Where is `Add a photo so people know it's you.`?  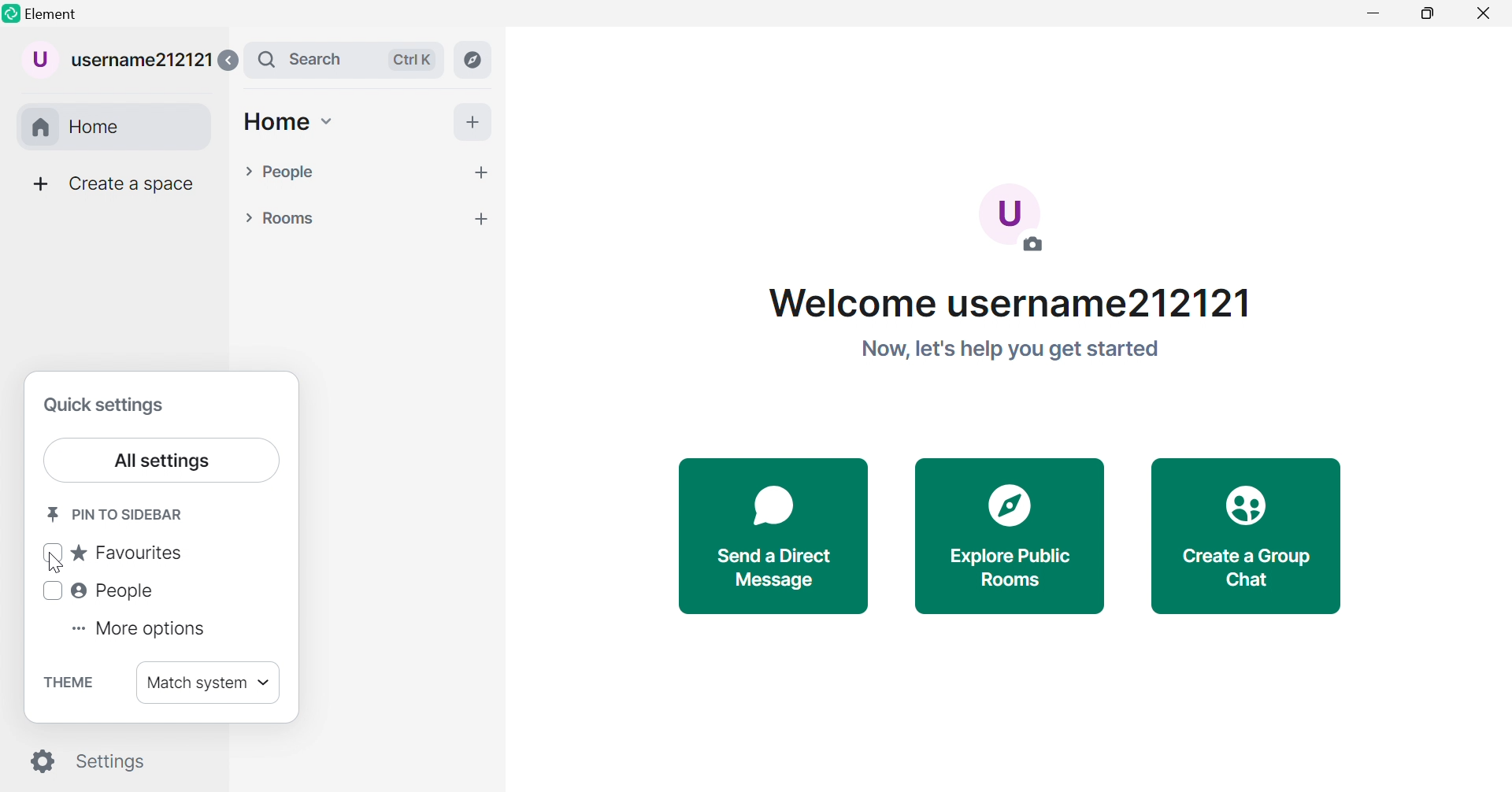
Add a photo so people know it's you. is located at coordinates (1014, 223).